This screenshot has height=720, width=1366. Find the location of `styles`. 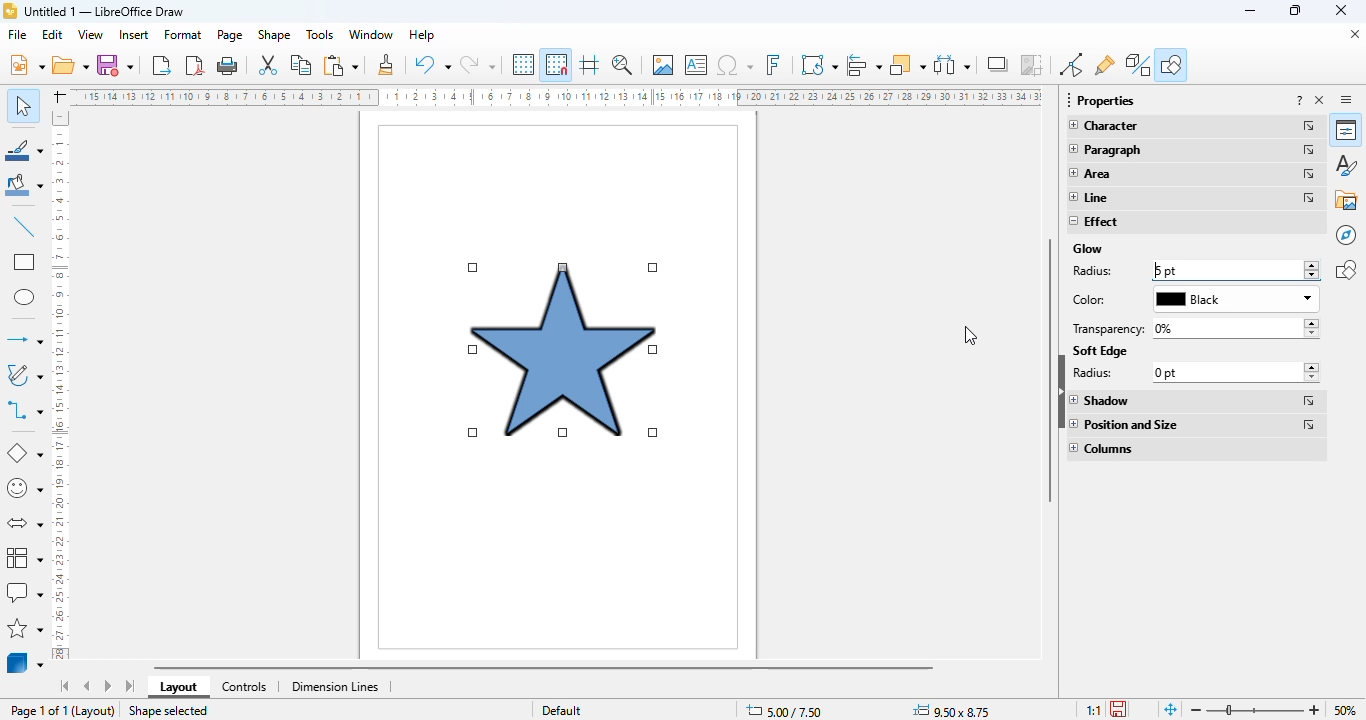

styles is located at coordinates (1346, 165).